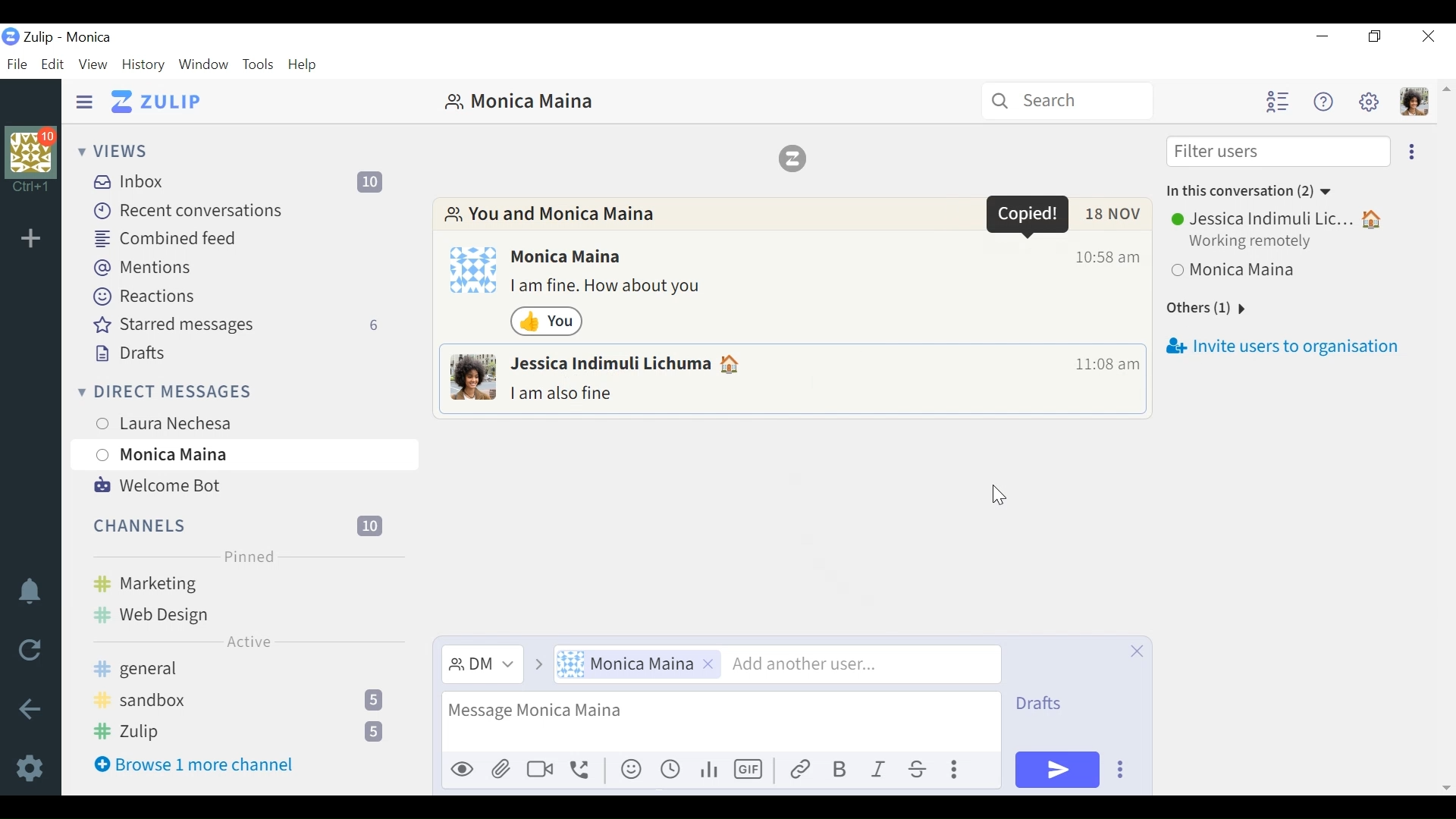 The width and height of the screenshot is (1456, 819). Describe the element at coordinates (1445, 438) in the screenshot. I see `vertical scrollbar` at that location.